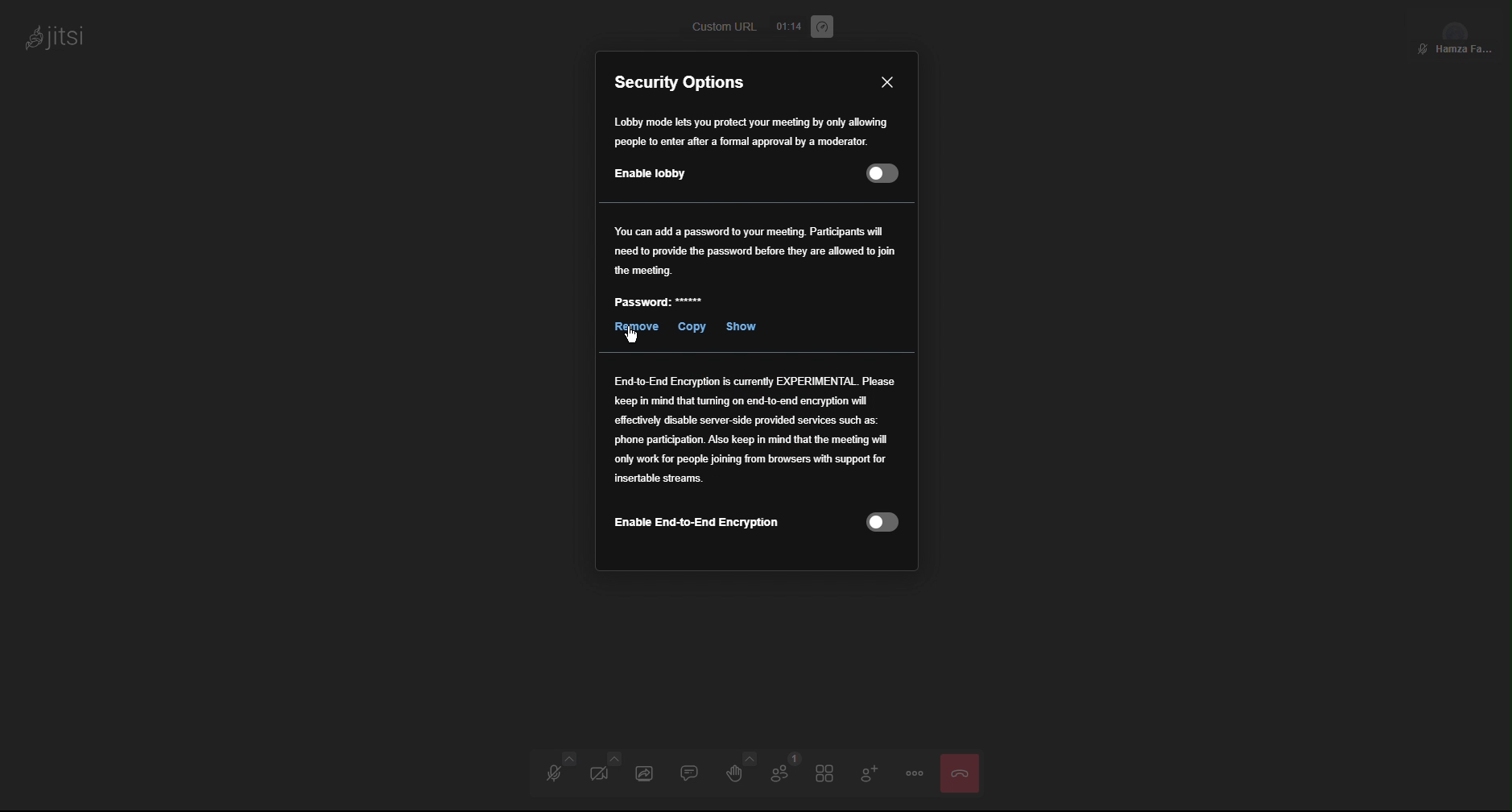  Describe the element at coordinates (824, 28) in the screenshot. I see `Performance` at that location.